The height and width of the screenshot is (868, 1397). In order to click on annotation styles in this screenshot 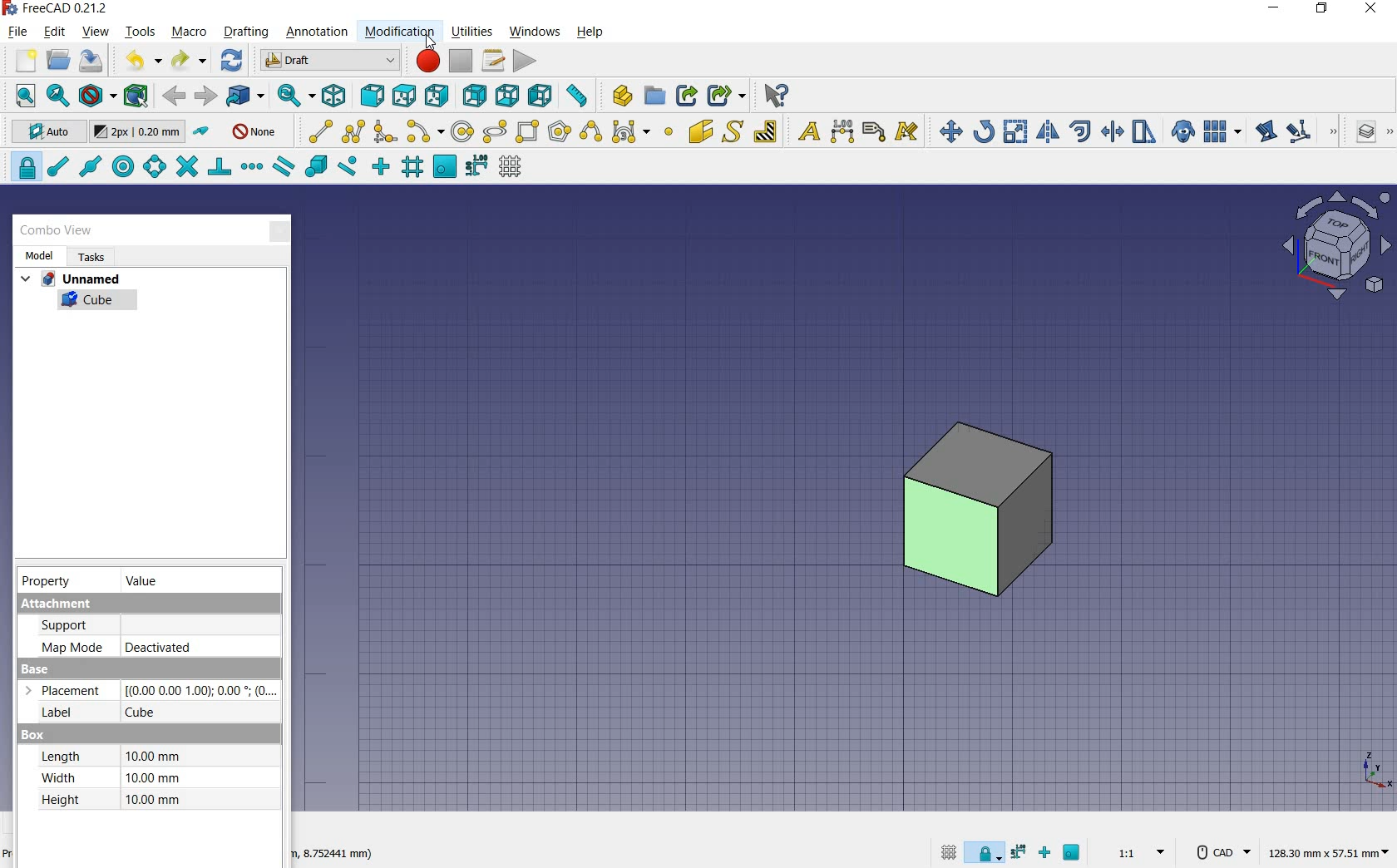, I will do `click(908, 133)`.